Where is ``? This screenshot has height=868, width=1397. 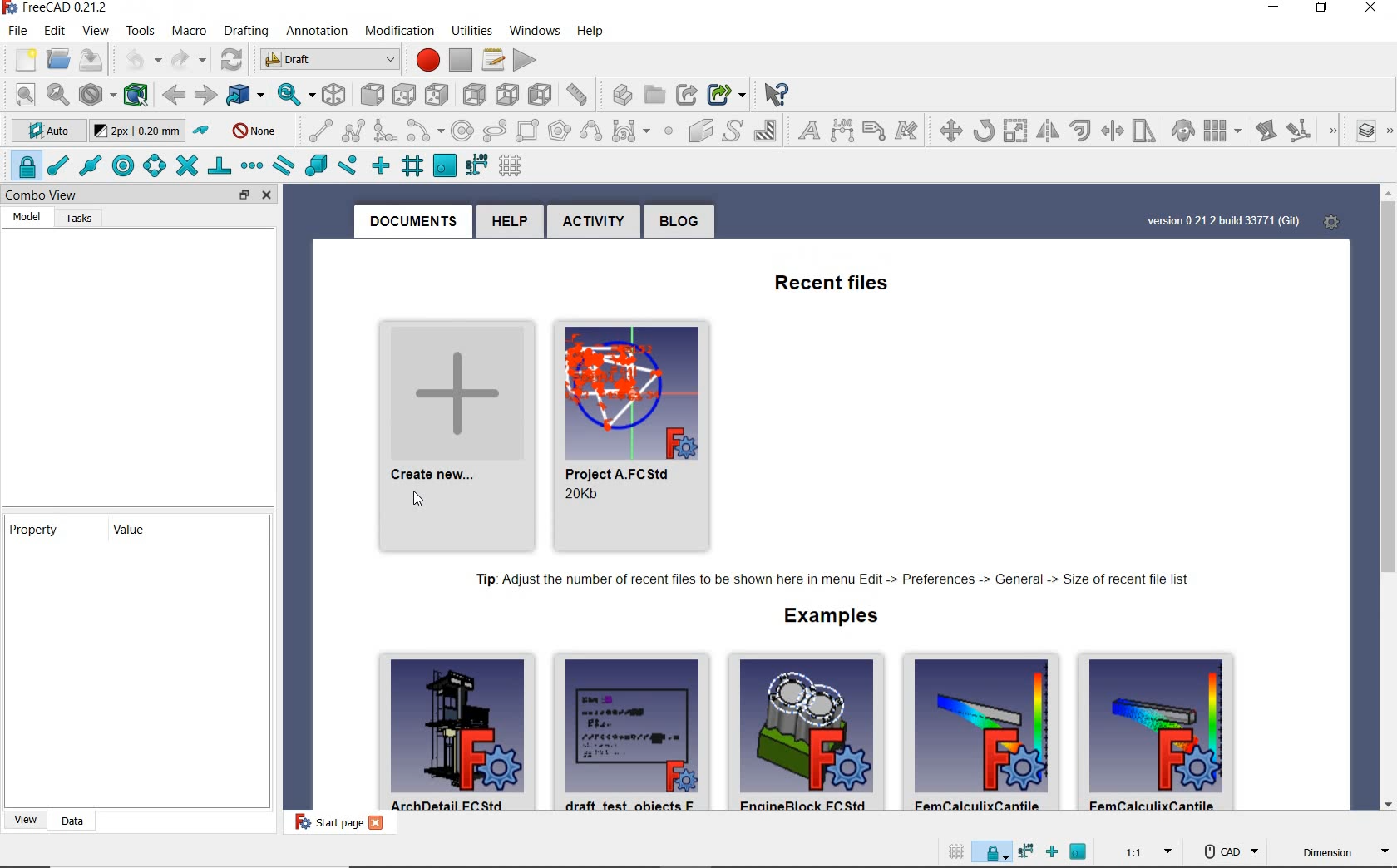  is located at coordinates (1026, 851).